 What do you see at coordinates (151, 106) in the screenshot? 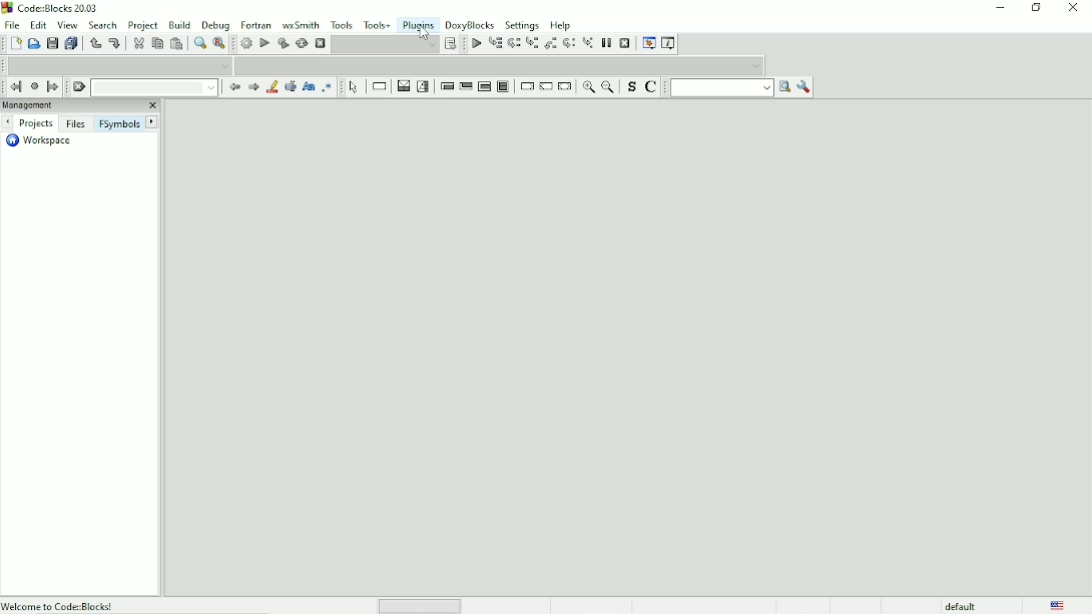
I see `Close` at bounding box center [151, 106].